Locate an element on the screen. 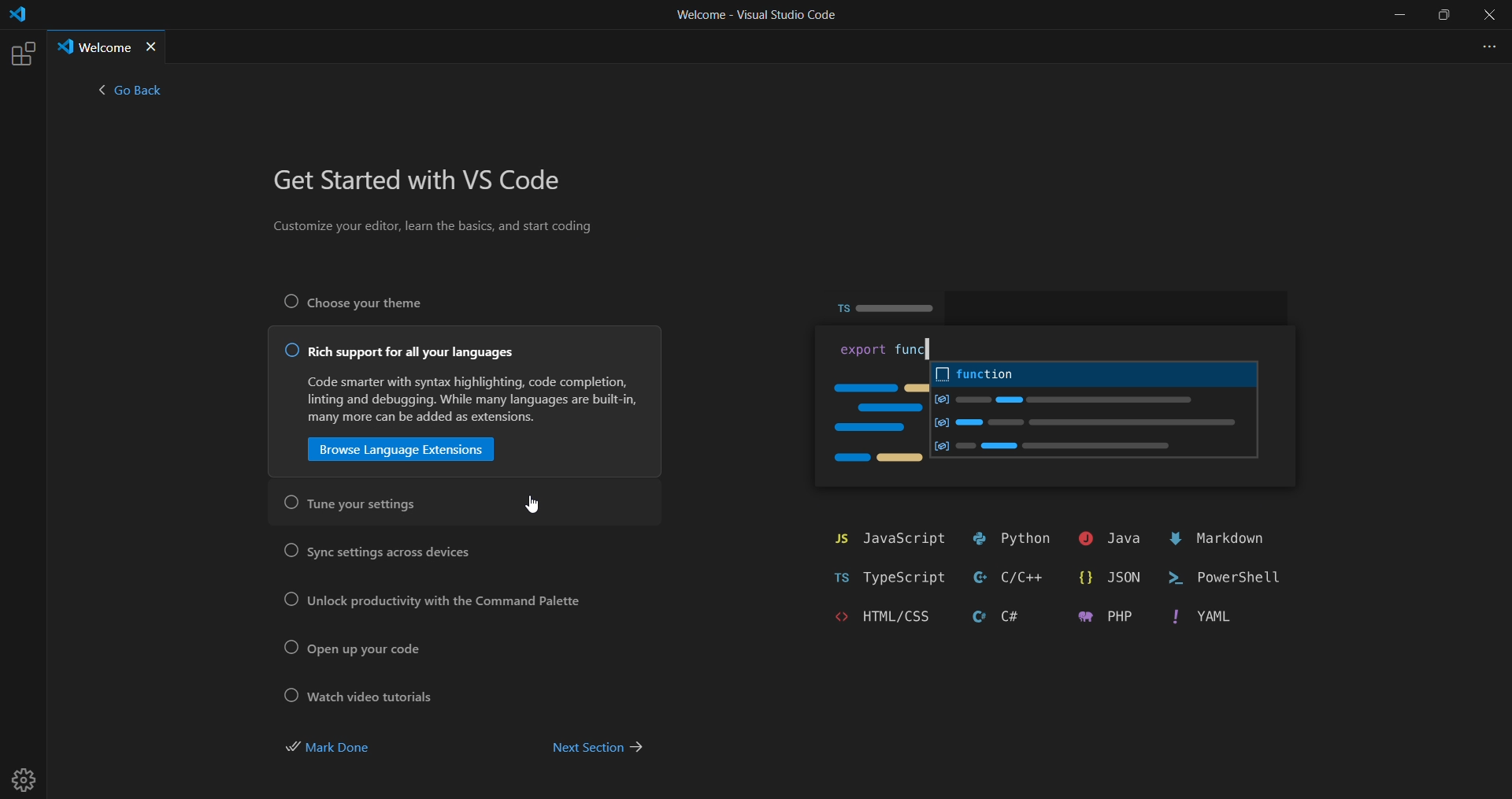  next section is located at coordinates (597, 749).